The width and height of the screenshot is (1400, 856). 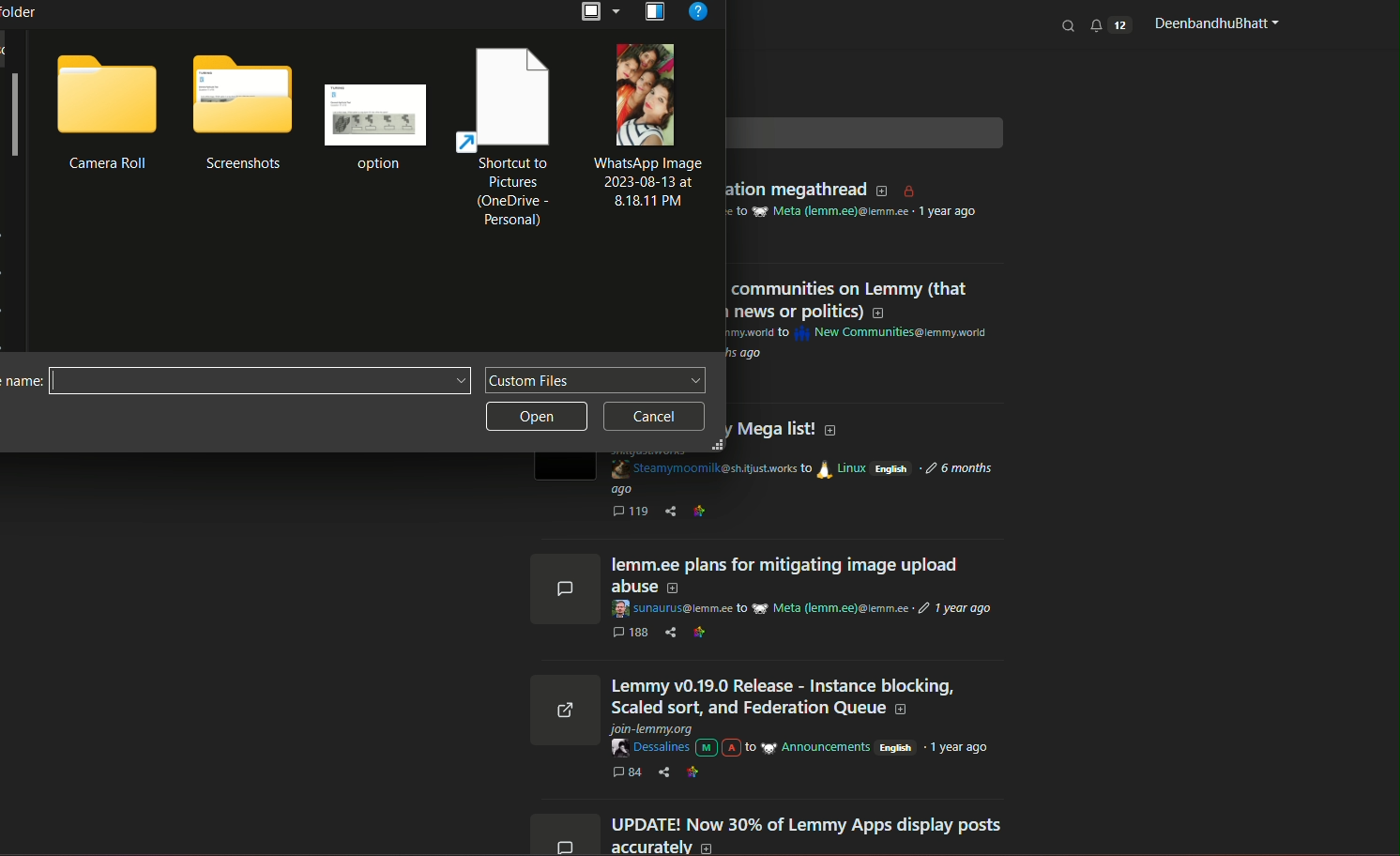 I want to click on open, so click(x=538, y=419).